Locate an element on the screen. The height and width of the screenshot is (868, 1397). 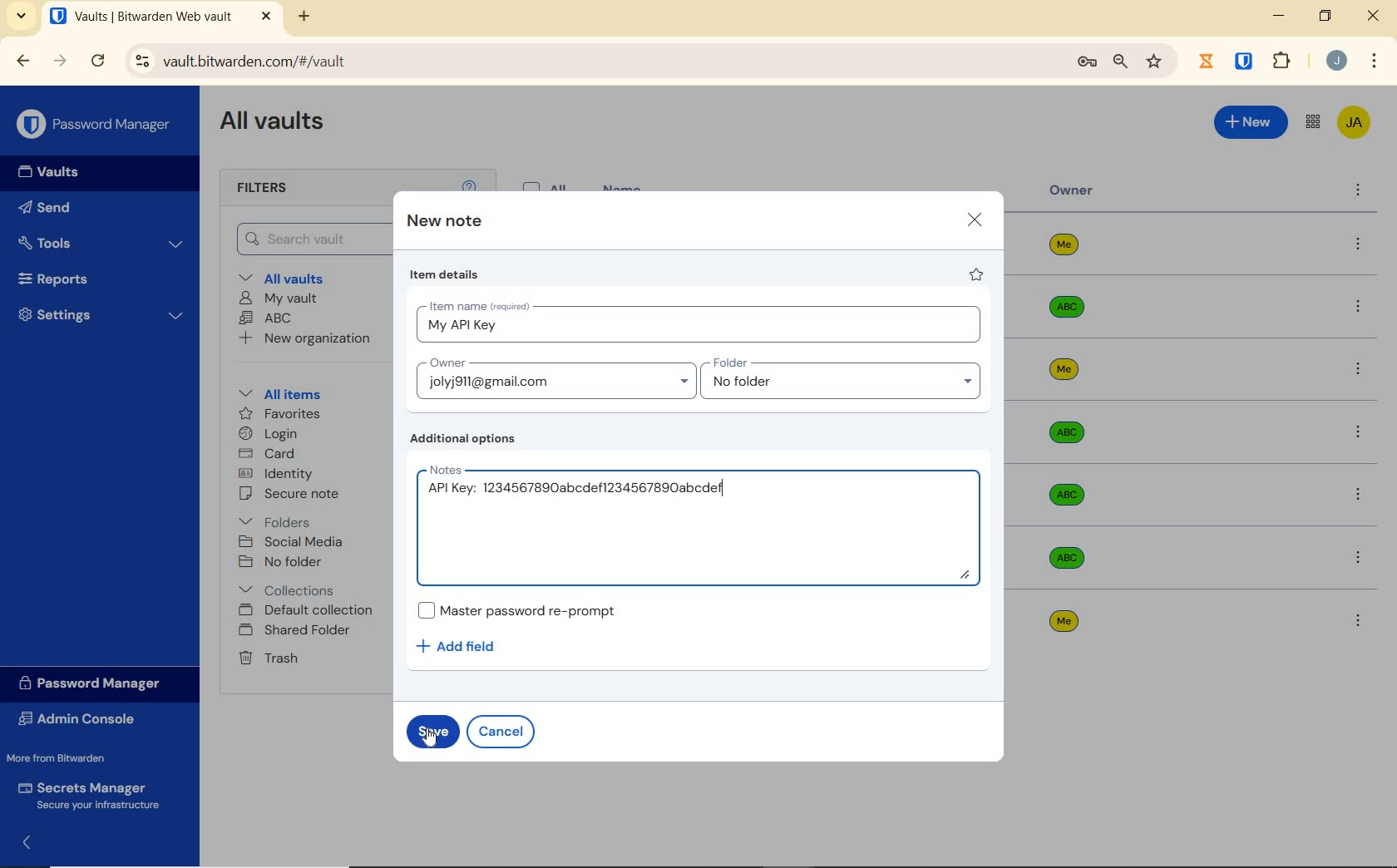
open tab is located at coordinates (141, 17).